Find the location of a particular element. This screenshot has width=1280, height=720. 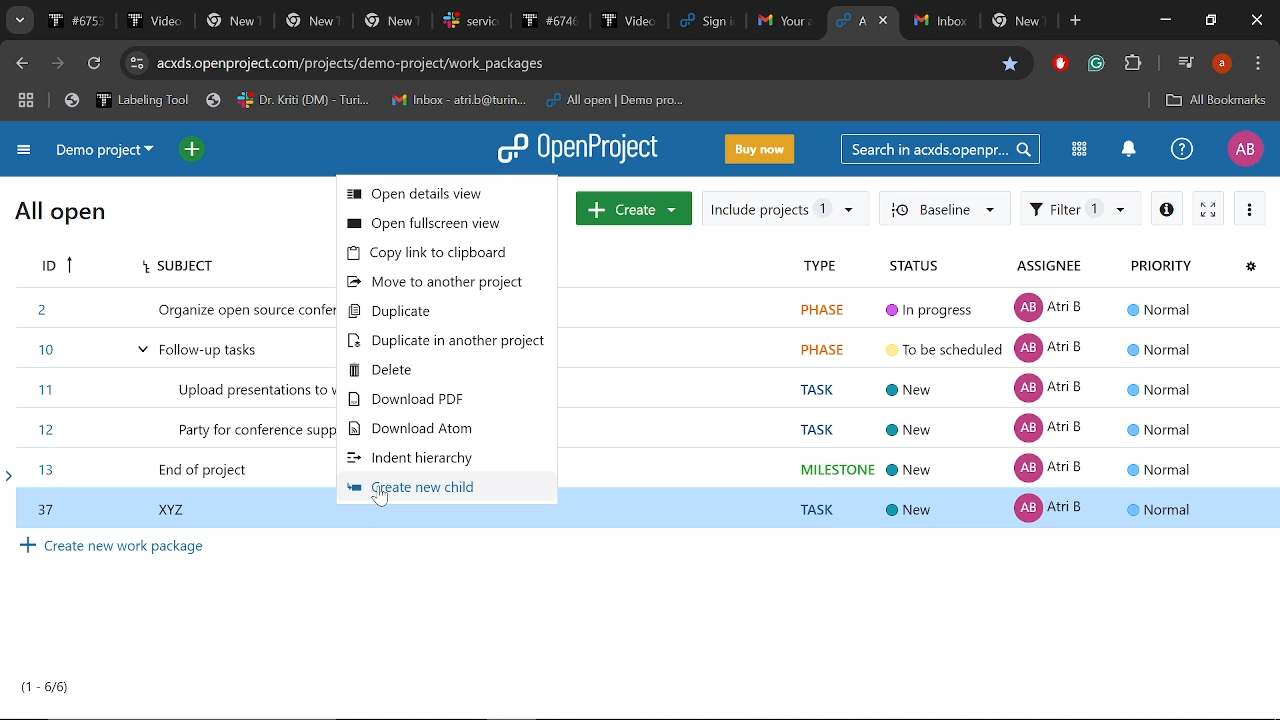

All open is located at coordinates (61, 215).